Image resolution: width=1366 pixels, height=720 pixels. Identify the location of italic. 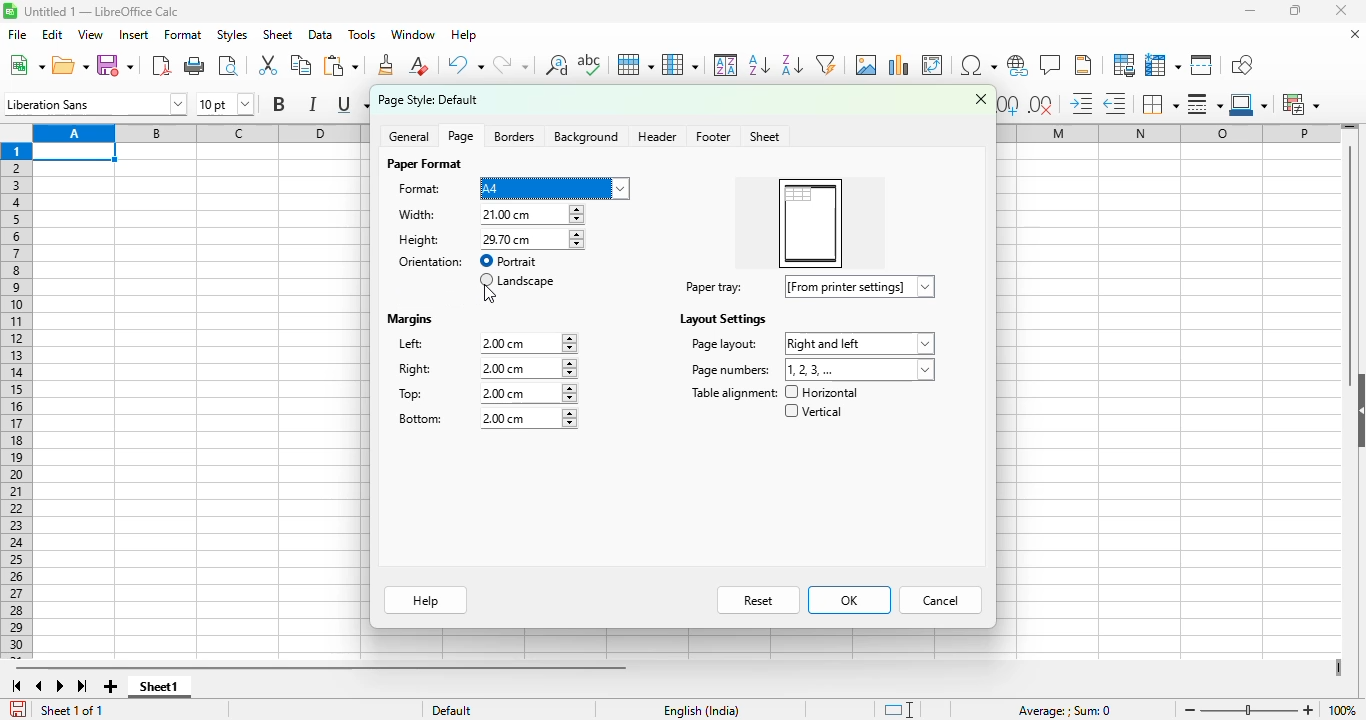
(312, 104).